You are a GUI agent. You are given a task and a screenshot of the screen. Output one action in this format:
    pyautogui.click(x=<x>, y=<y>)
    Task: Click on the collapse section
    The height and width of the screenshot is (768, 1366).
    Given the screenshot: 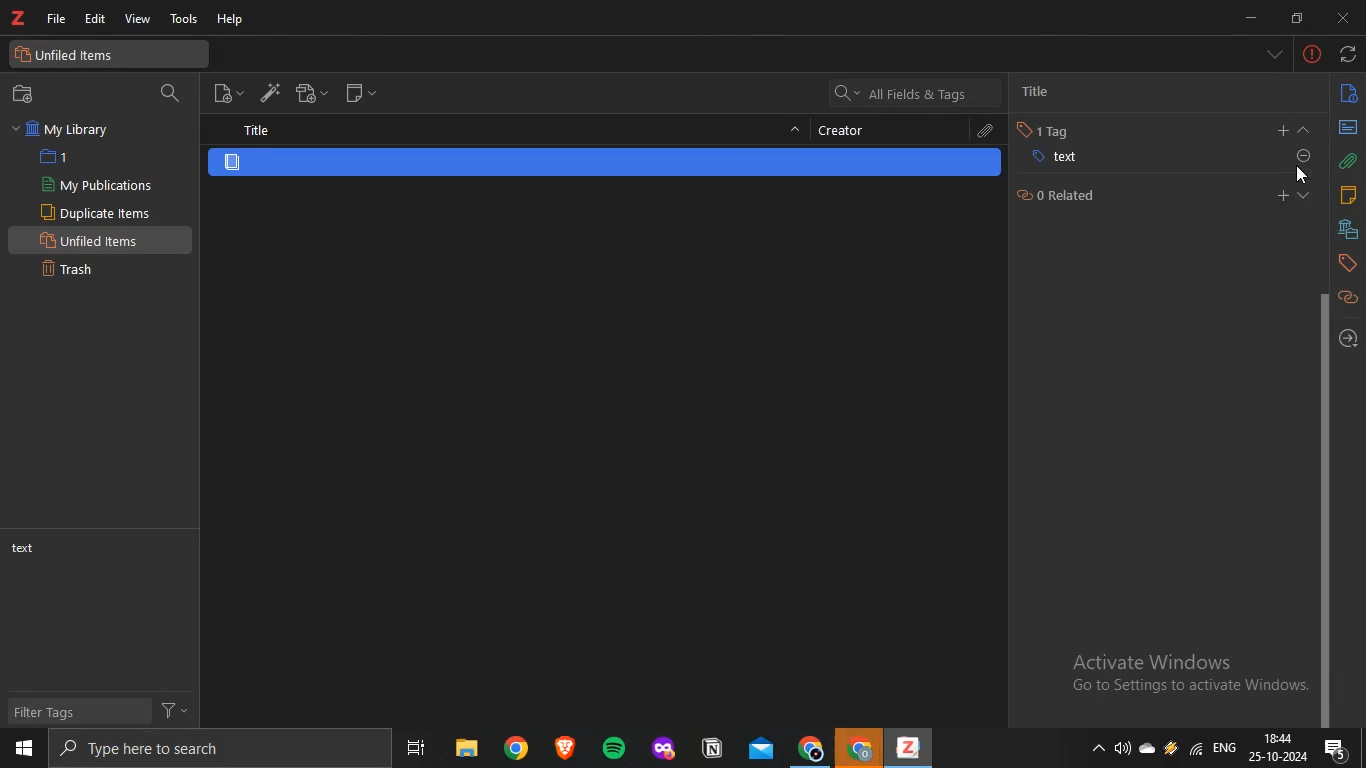 What is the action you would take?
    pyautogui.click(x=1306, y=130)
    